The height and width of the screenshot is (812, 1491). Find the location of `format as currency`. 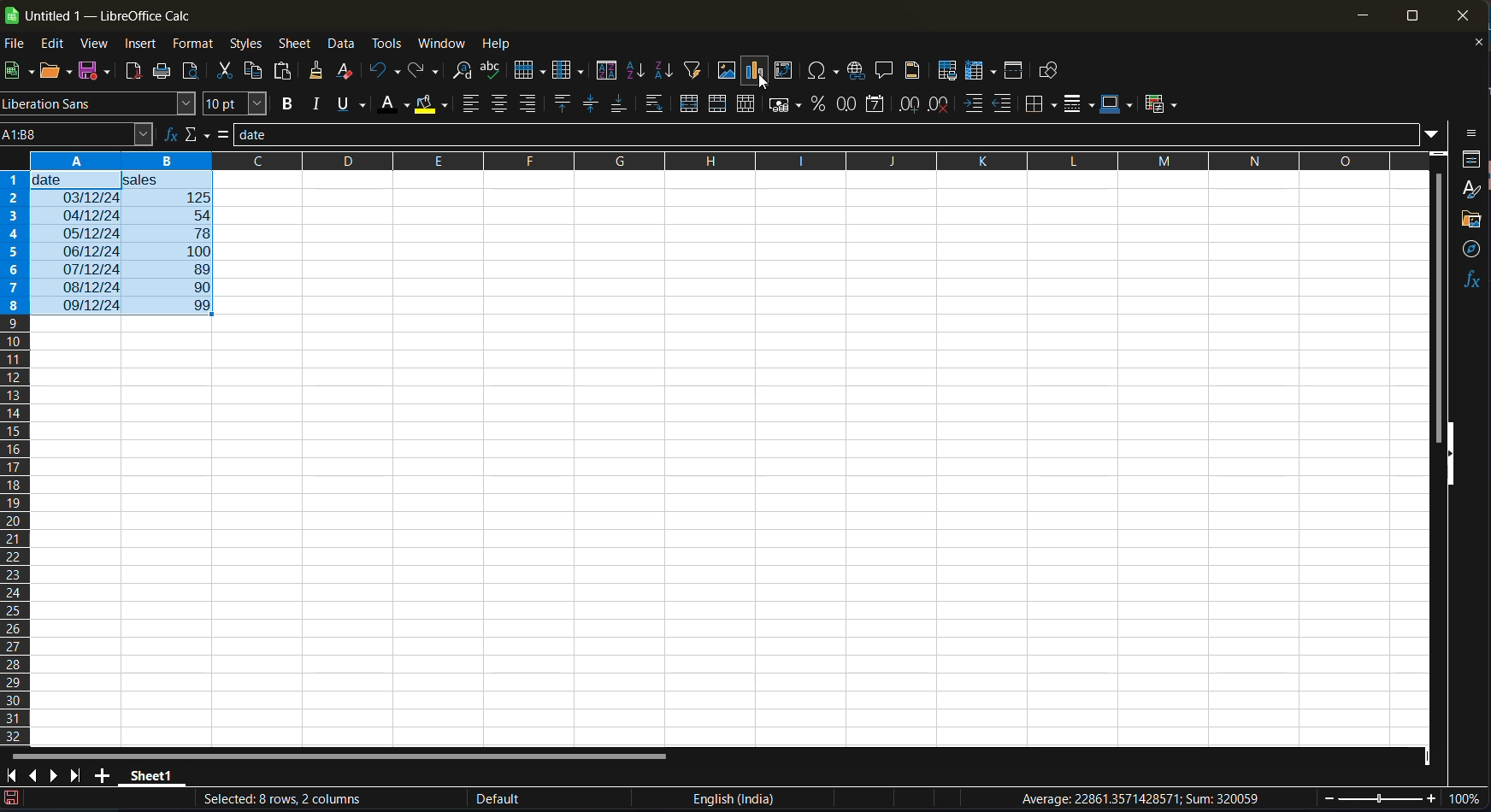

format as currency is located at coordinates (787, 106).